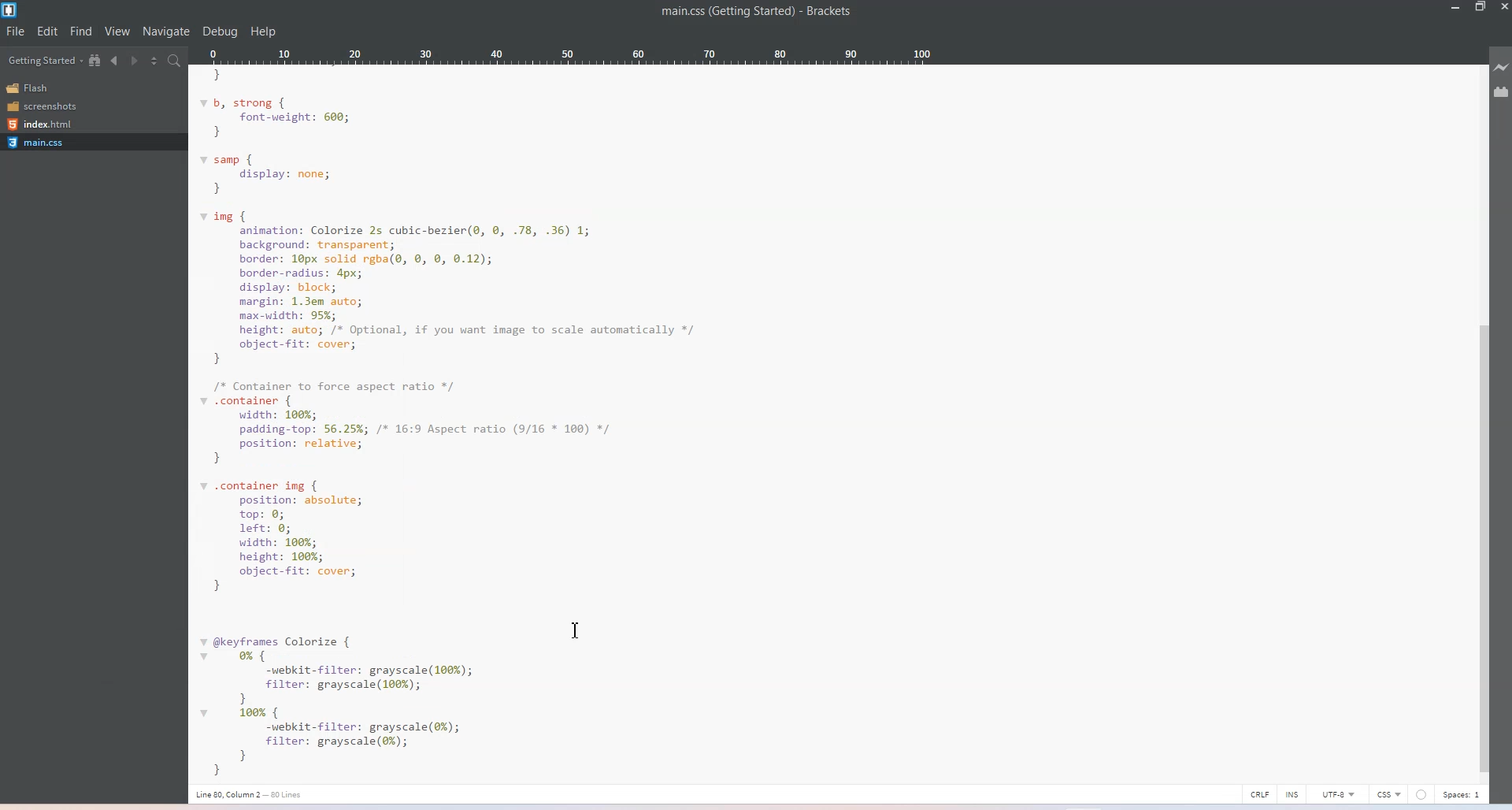 The width and height of the screenshot is (1512, 810). I want to click on line number, so click(250, 796).